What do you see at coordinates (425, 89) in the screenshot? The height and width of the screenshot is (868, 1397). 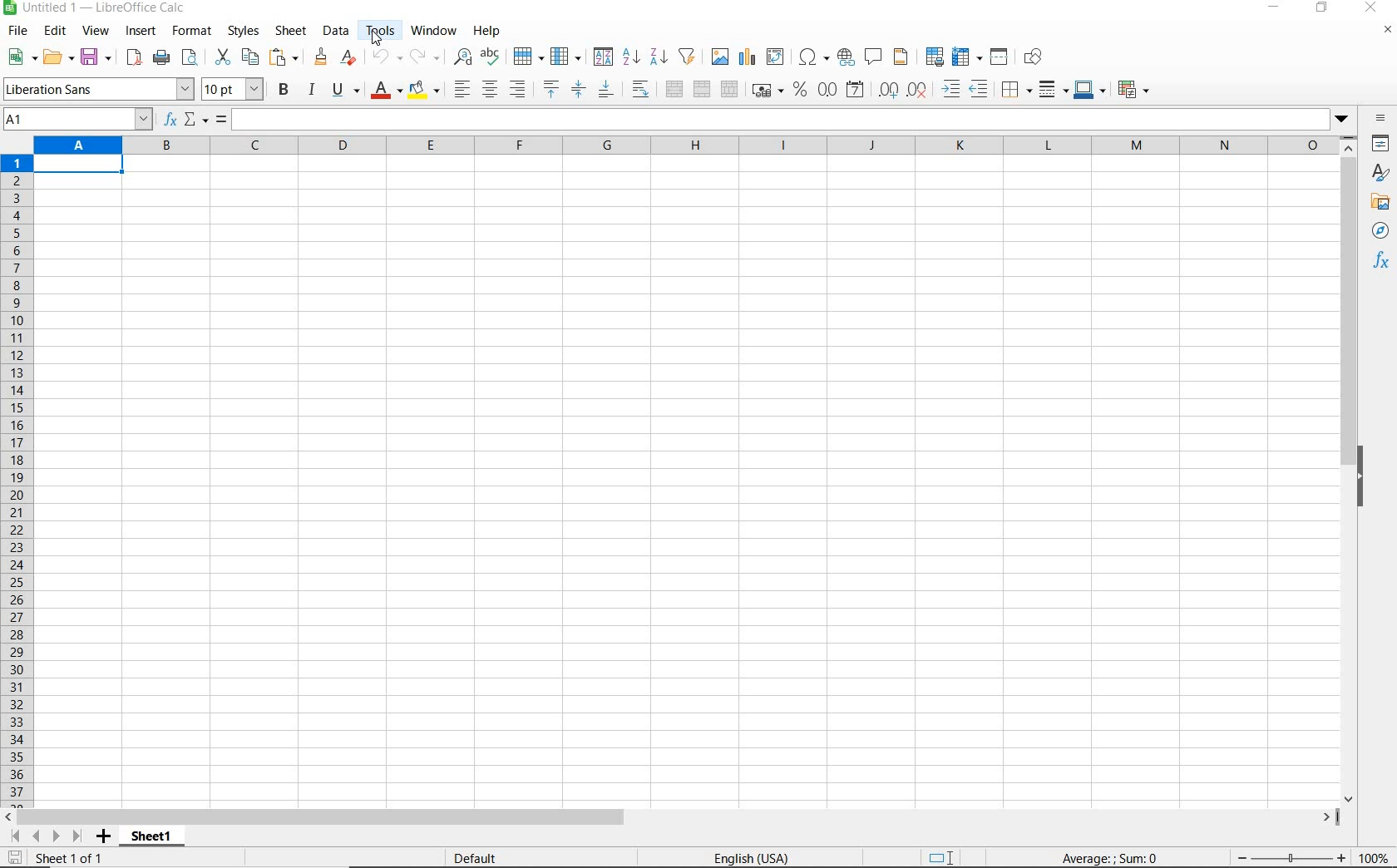 I see `background color` at bounding box center [425, 89].